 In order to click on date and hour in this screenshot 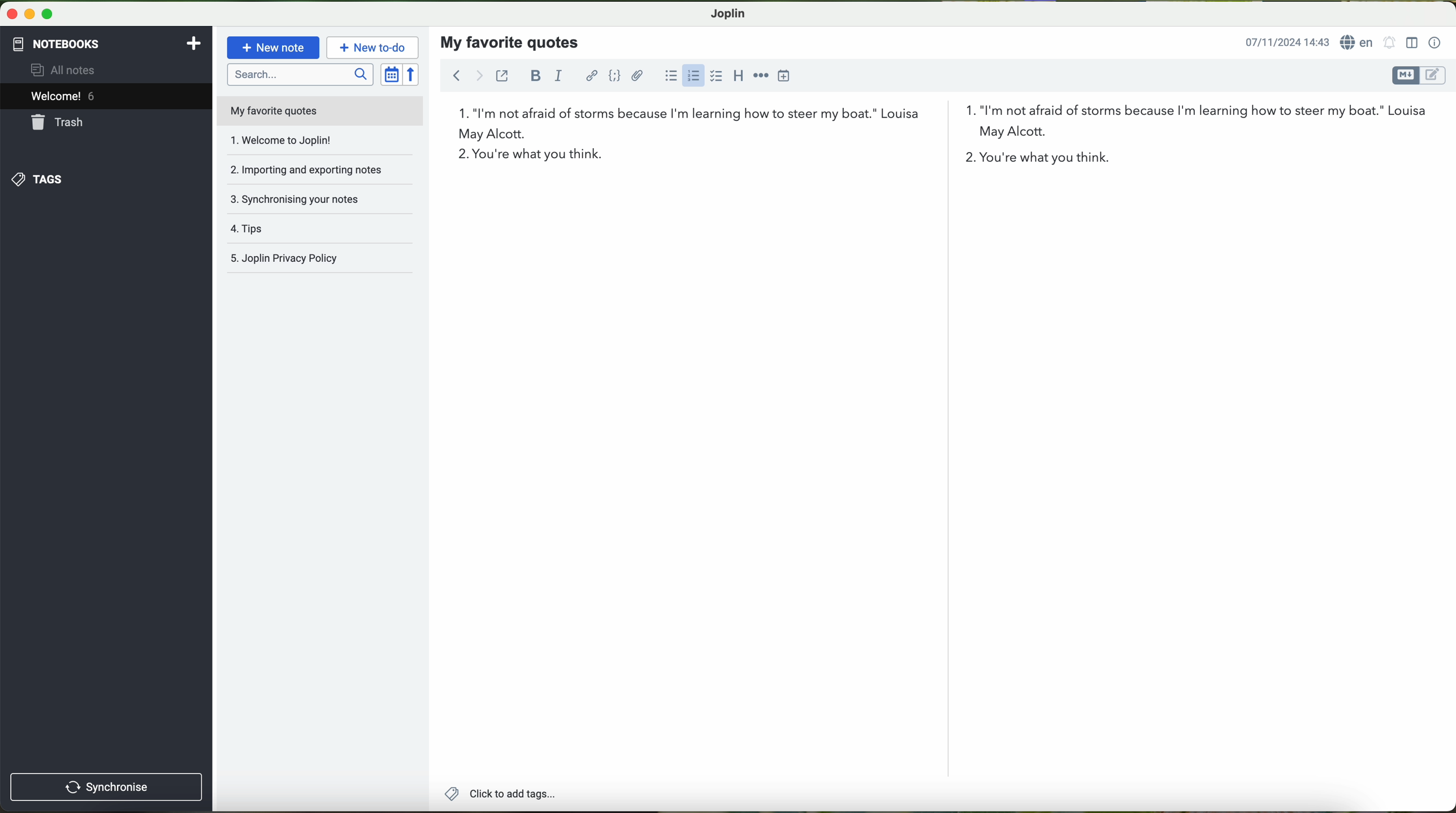, I will do `click(1286, 41)`.